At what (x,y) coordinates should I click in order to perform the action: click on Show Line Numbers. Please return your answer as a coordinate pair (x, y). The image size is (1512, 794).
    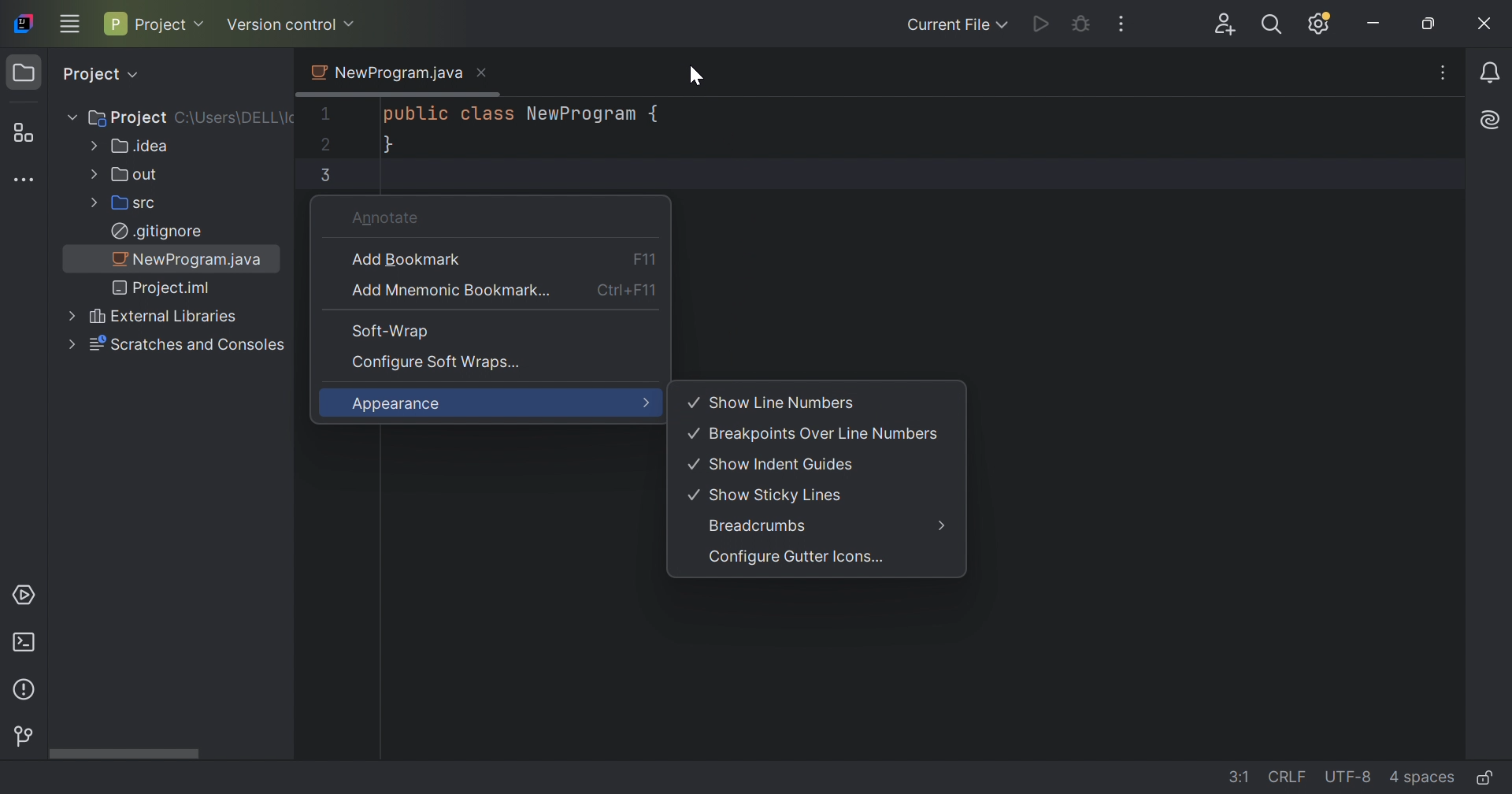
    Looking at the image, I should click on (774, 403).